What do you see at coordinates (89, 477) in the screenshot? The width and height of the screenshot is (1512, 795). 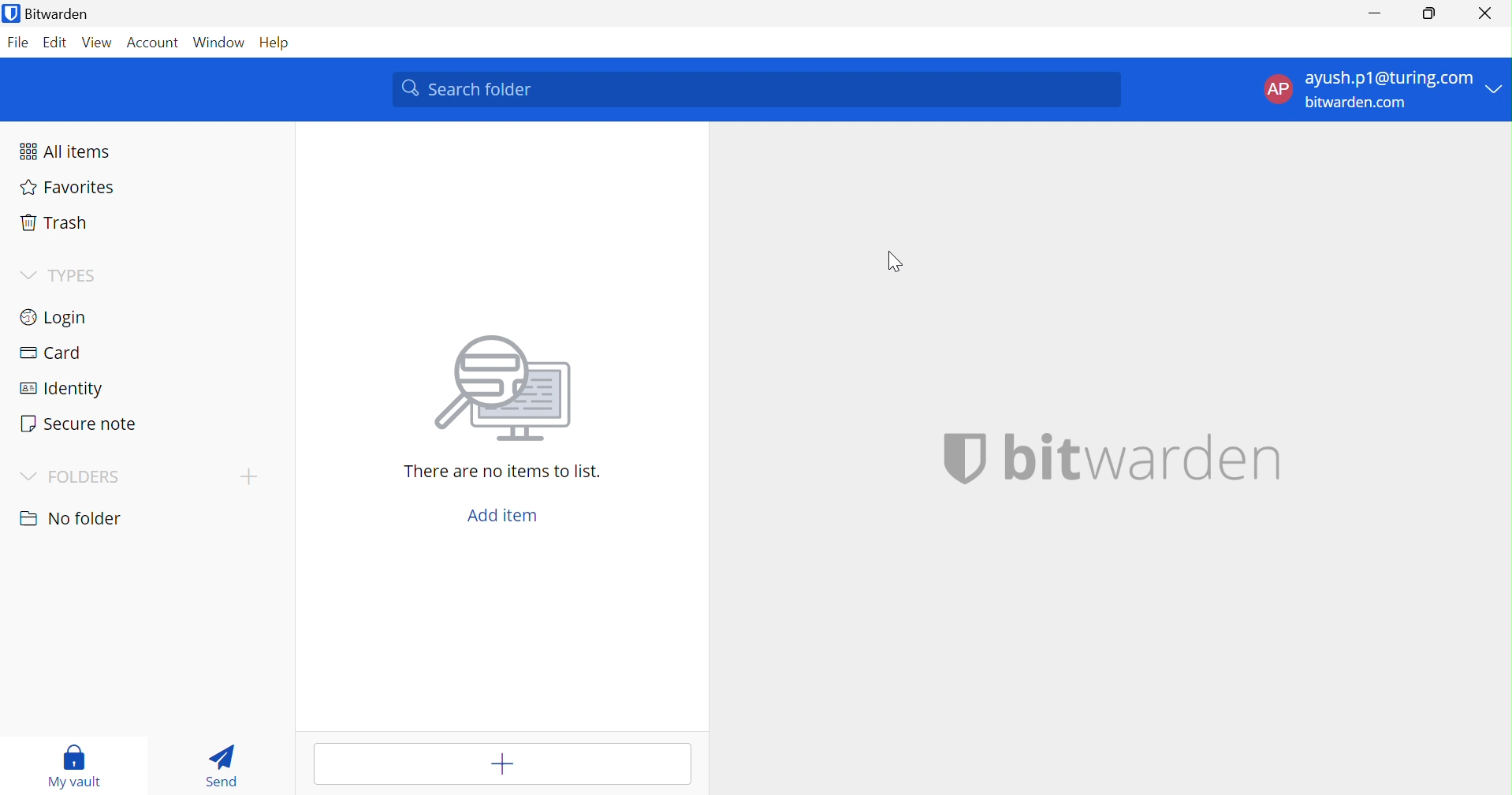 I see `FOLDERS` at bounding box center [89, 477].